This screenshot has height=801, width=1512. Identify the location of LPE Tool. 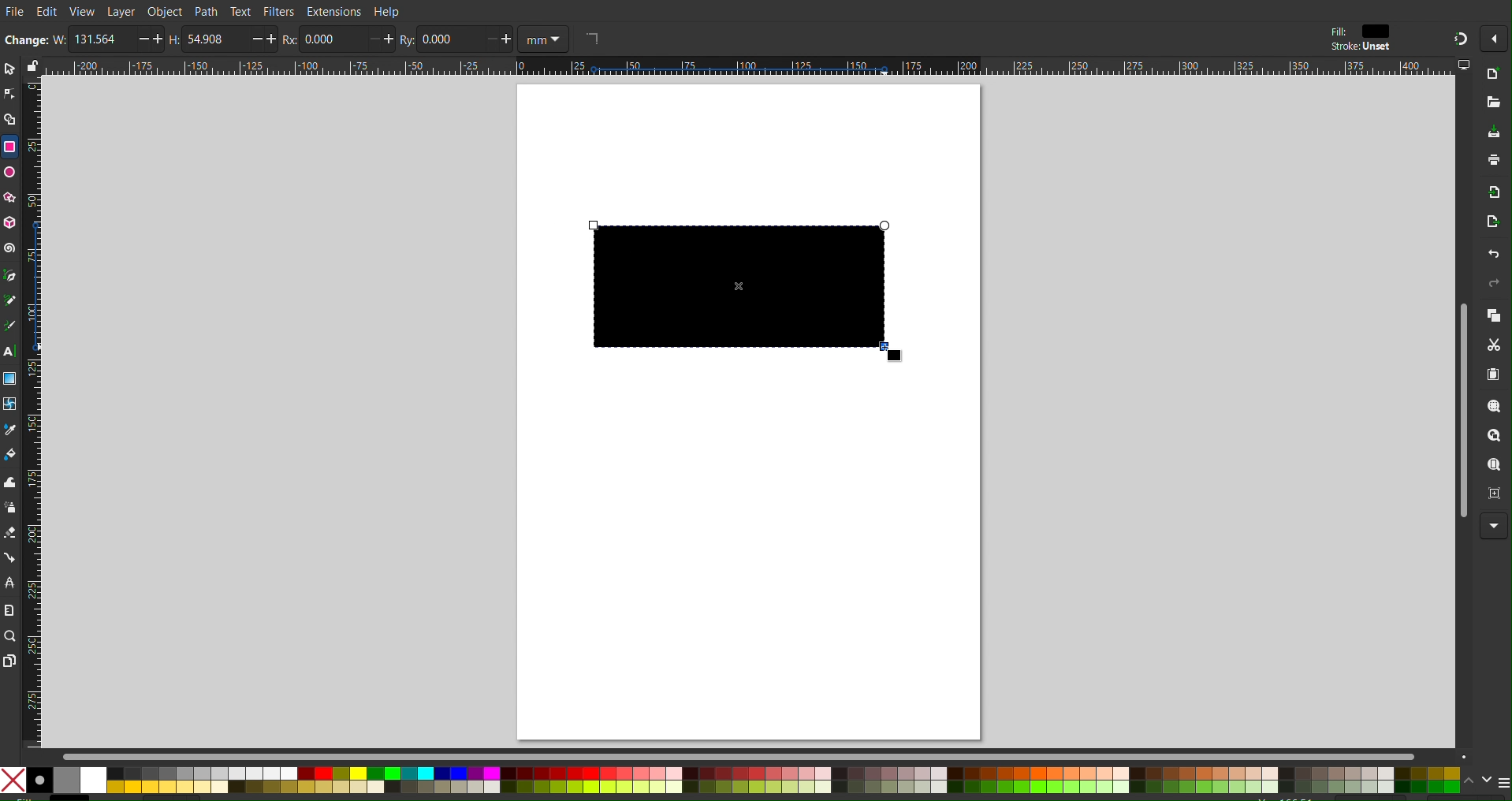
(9, 583).